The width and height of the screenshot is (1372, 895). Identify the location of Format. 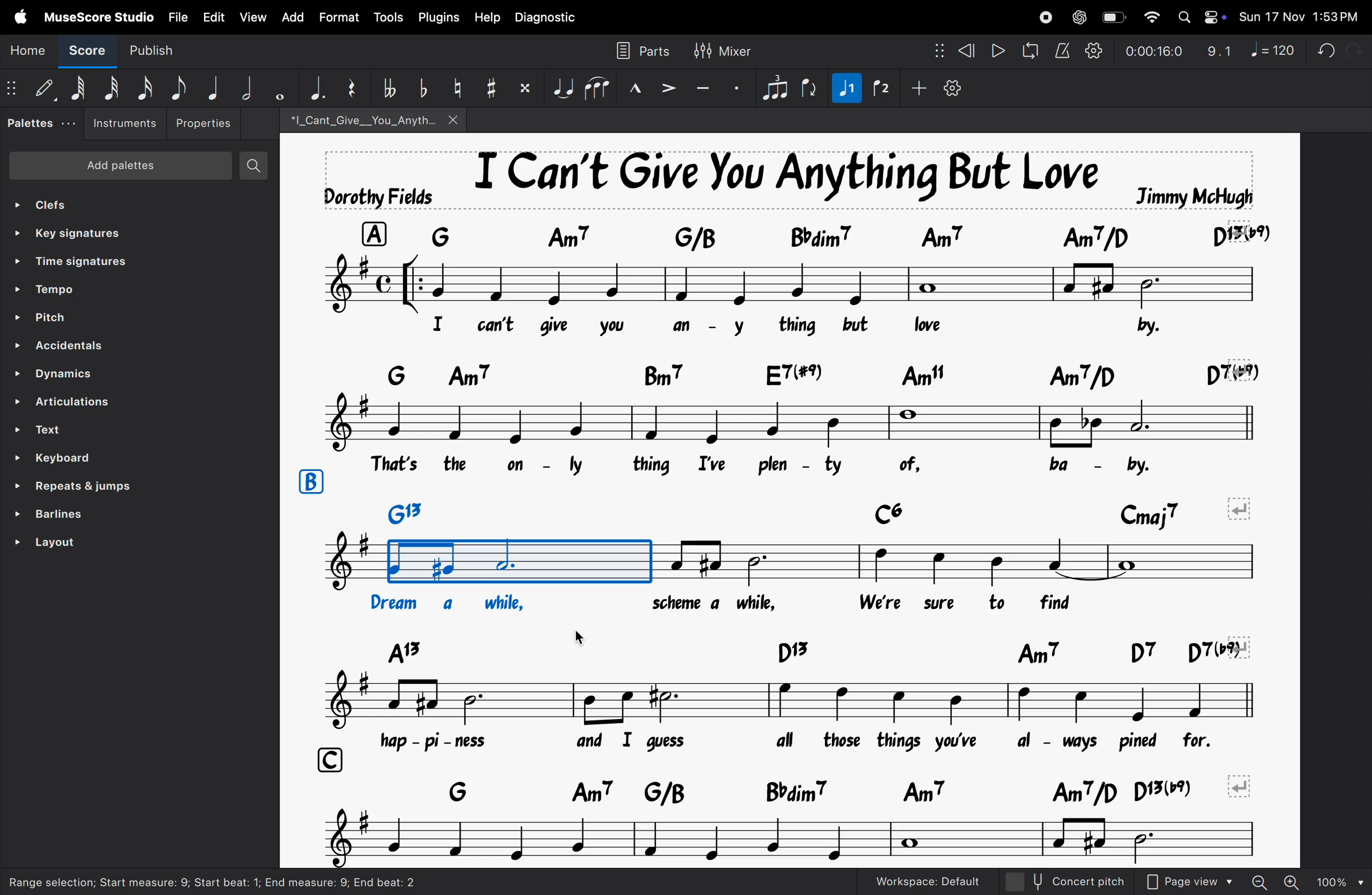
(337, 18).